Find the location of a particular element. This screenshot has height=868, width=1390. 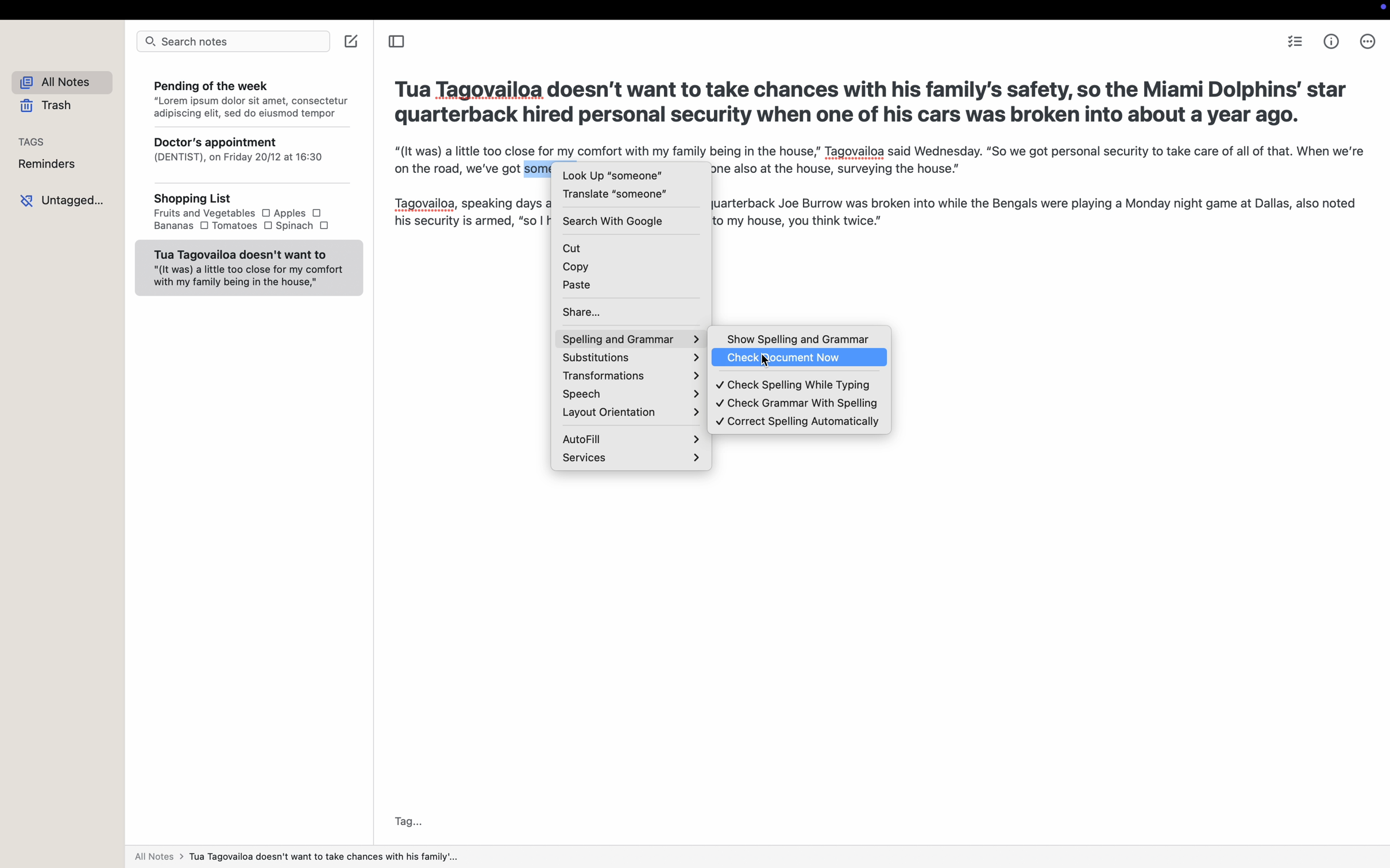

Pending of the week
“Lorem ipsum dolor sit amet, consectetur
adipiscing elit, sed do eiusmod tempor is located at coordinates (249, 97).